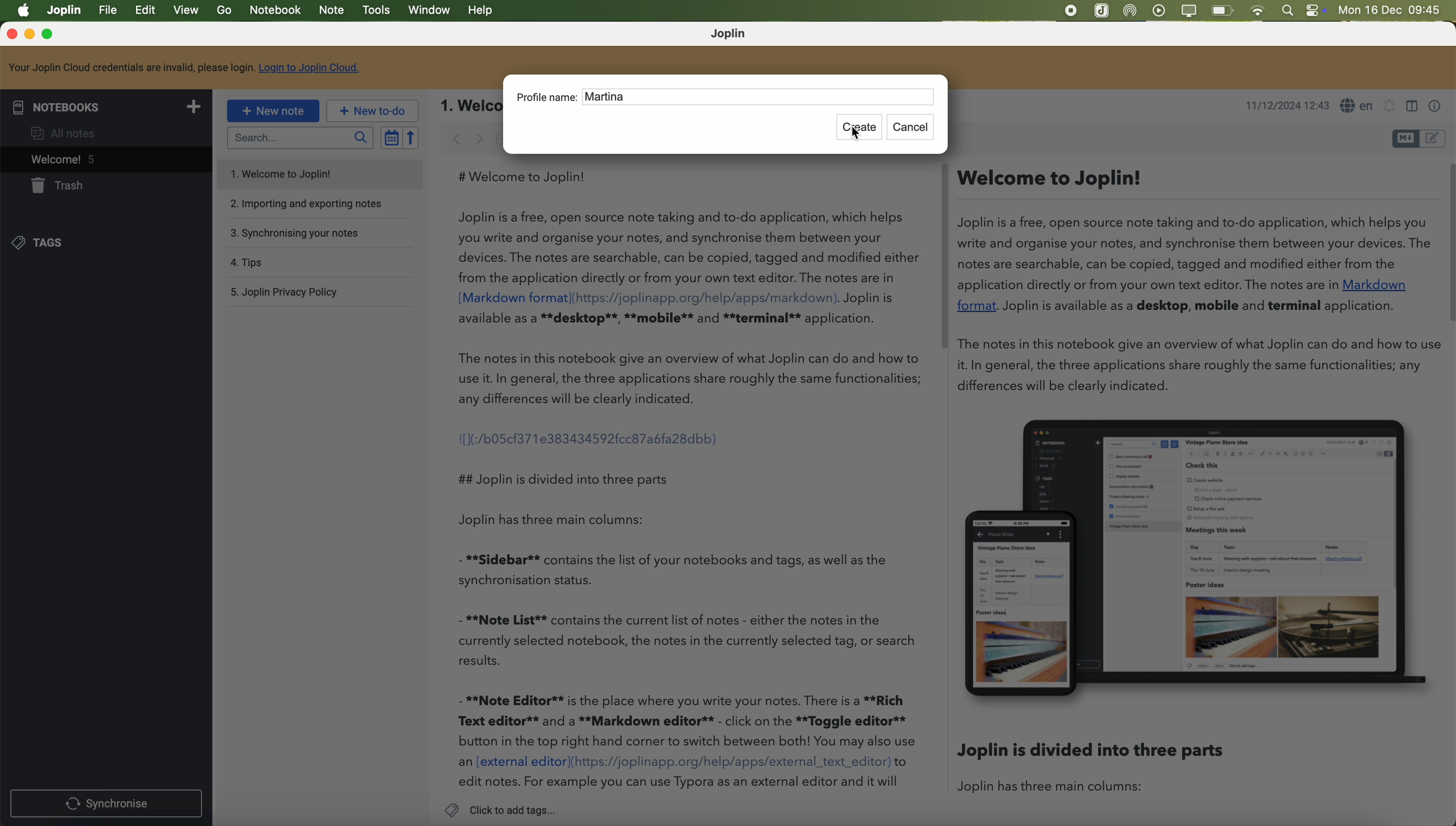  I want to click on  close program, so click(10, 34).